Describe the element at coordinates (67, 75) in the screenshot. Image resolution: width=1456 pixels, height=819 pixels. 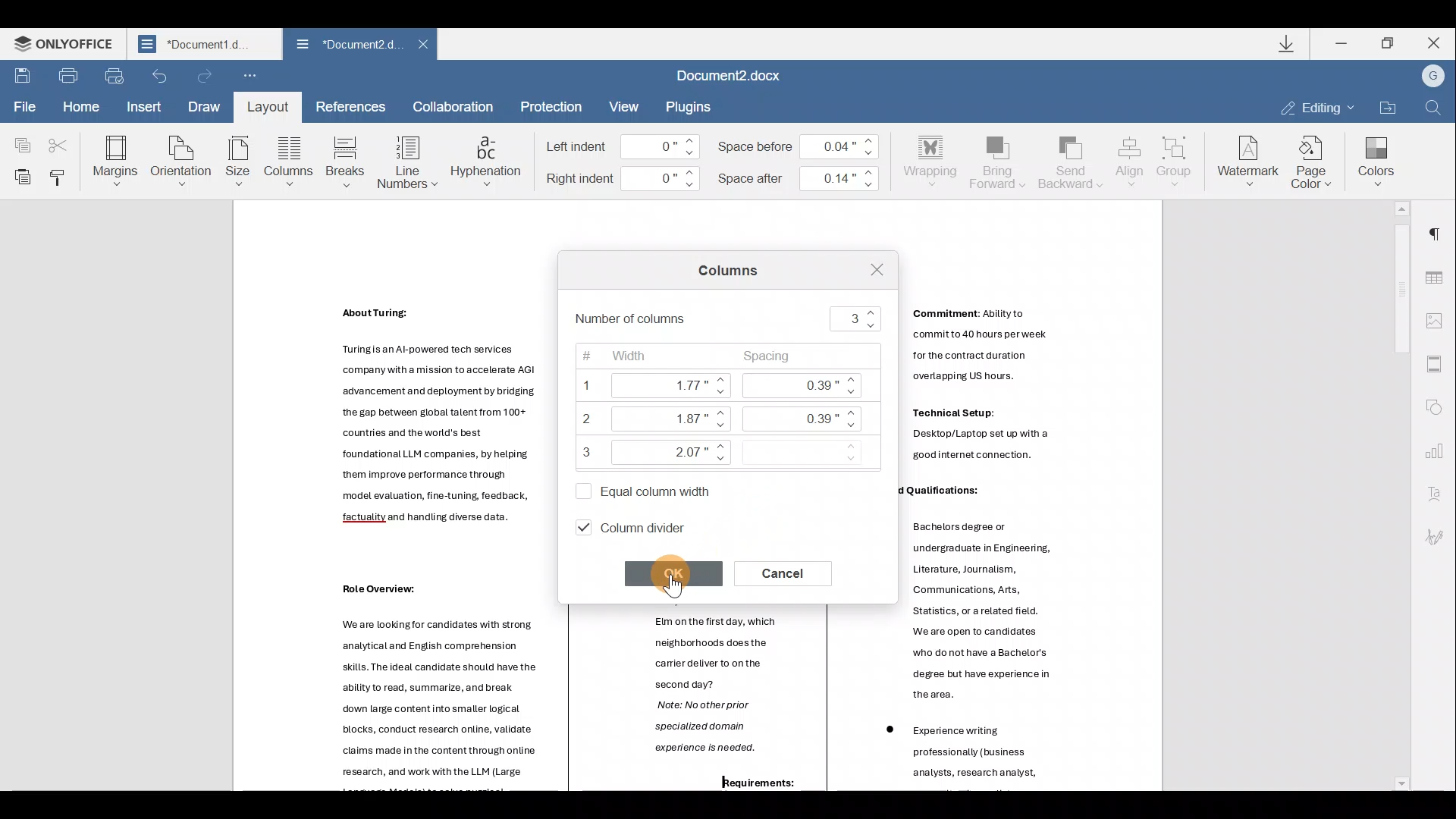
I see `Print file` at that location.